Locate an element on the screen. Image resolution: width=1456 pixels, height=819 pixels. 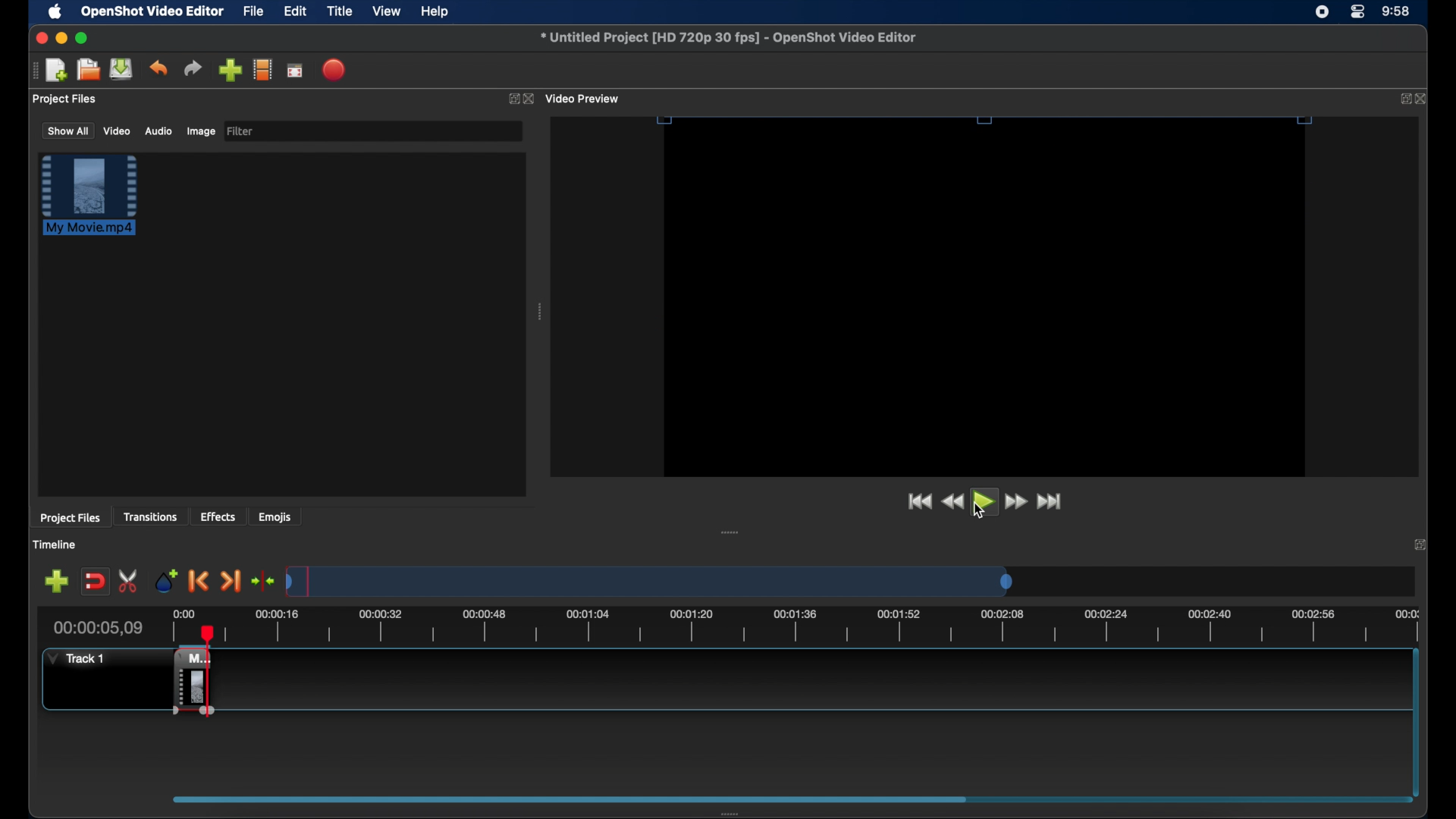
fast forward is located at coordinates (1017, 502).